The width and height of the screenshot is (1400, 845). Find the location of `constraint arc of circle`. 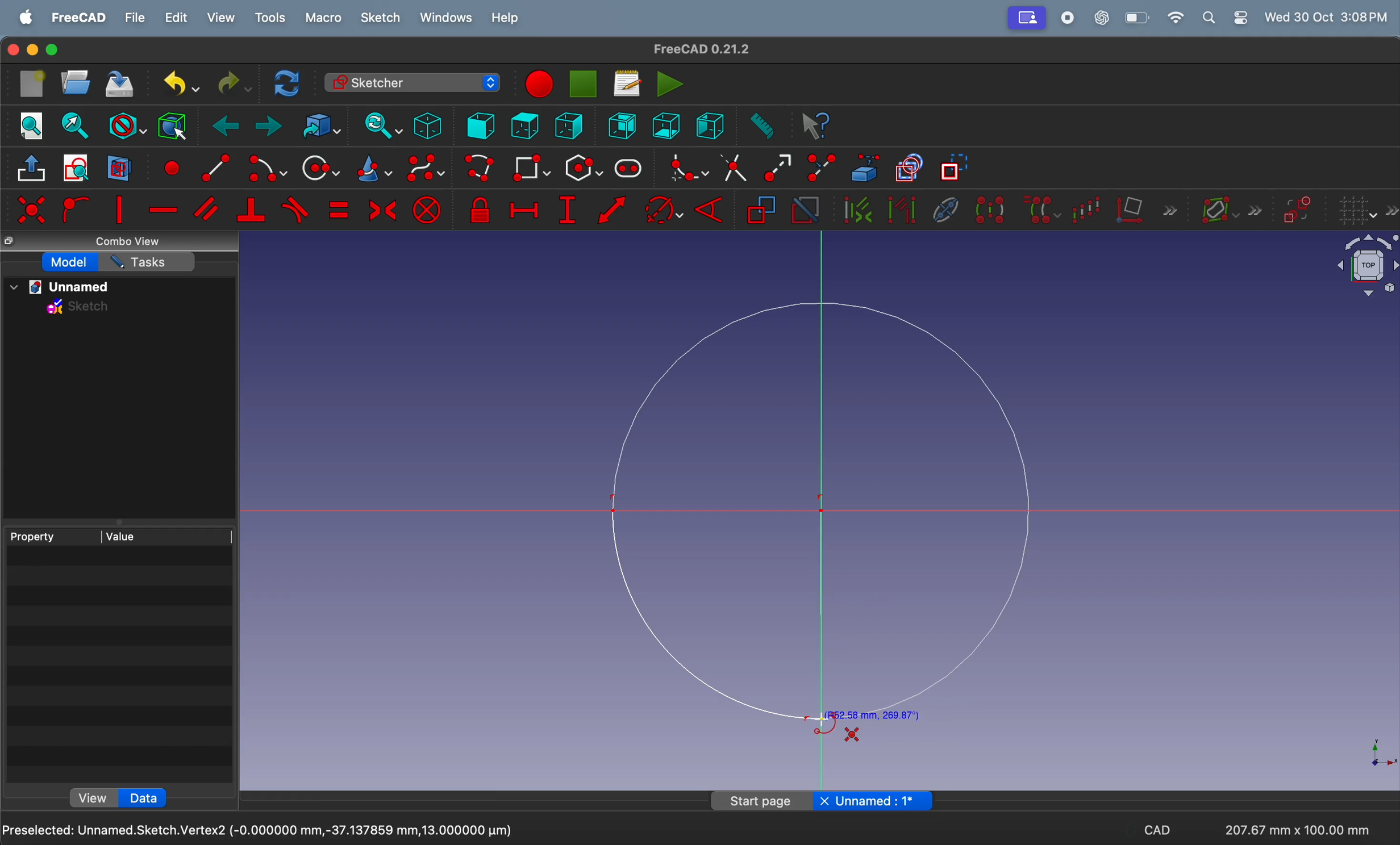

constraint arc of circle is located at coordinates (664, 210).